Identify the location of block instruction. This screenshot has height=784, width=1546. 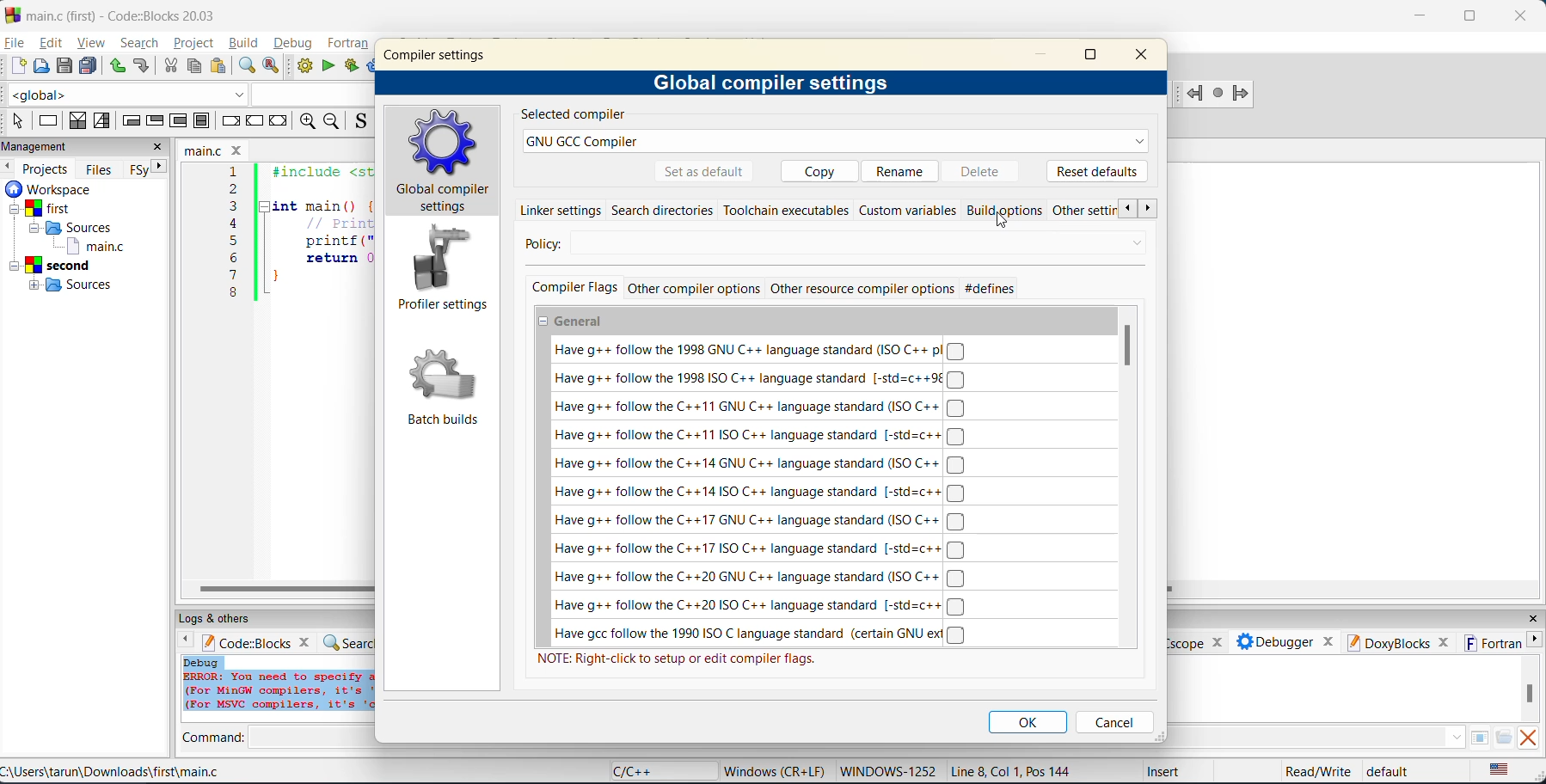
(203, 121).